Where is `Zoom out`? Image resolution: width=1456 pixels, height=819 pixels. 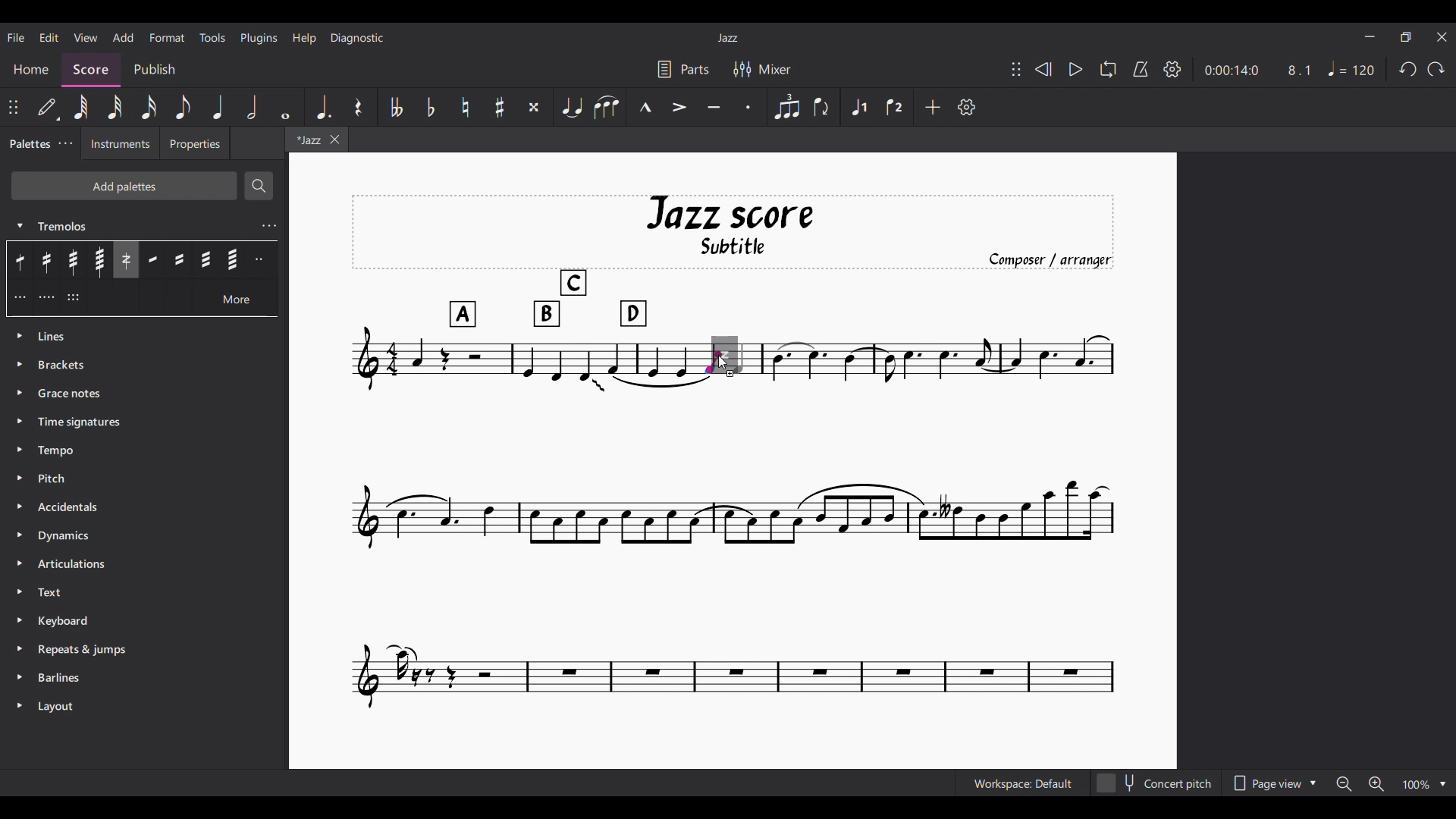 Zoom out is located at coordinates (1344, 784).